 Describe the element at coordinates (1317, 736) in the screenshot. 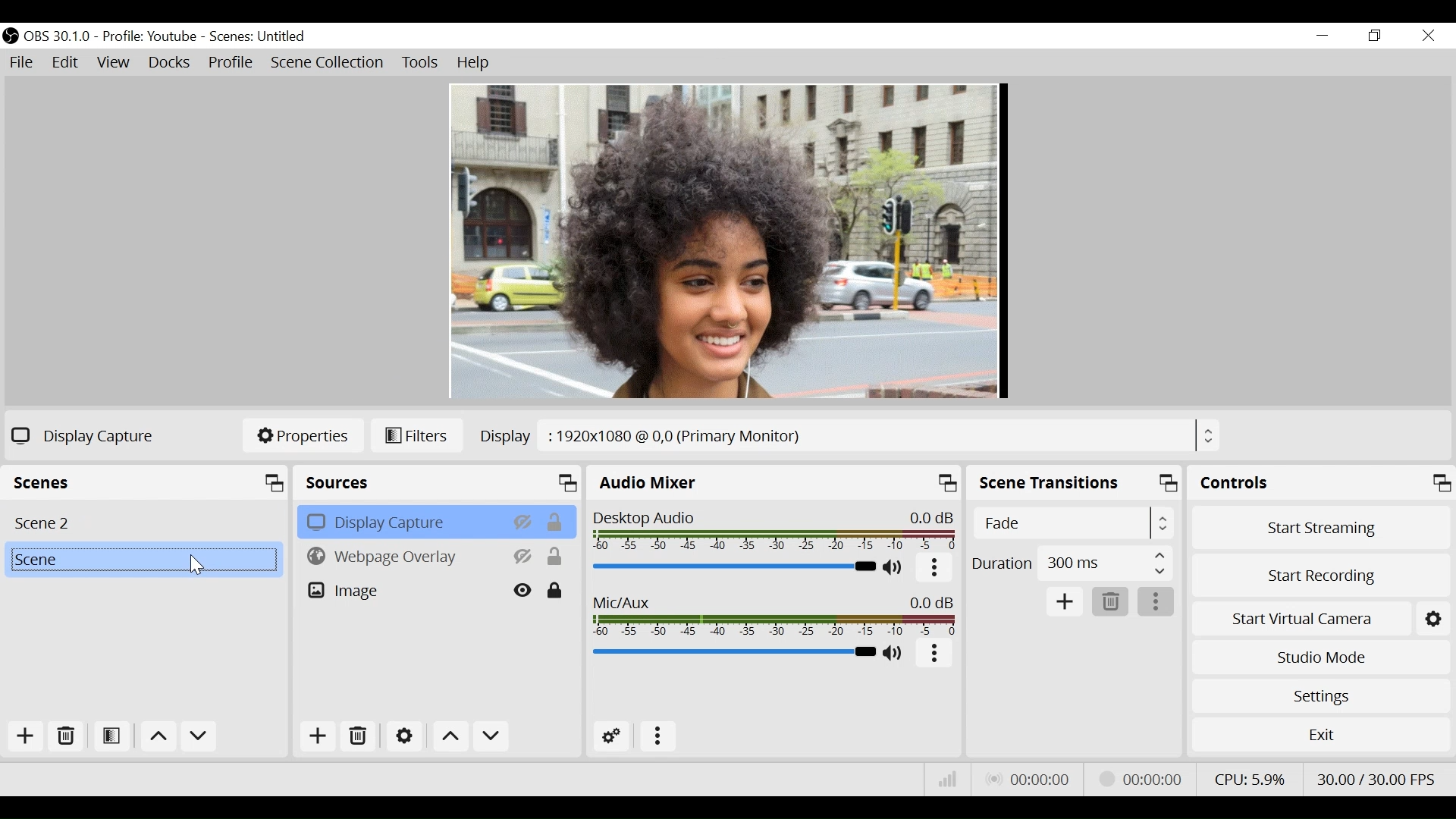

I see `Exit` at that location.